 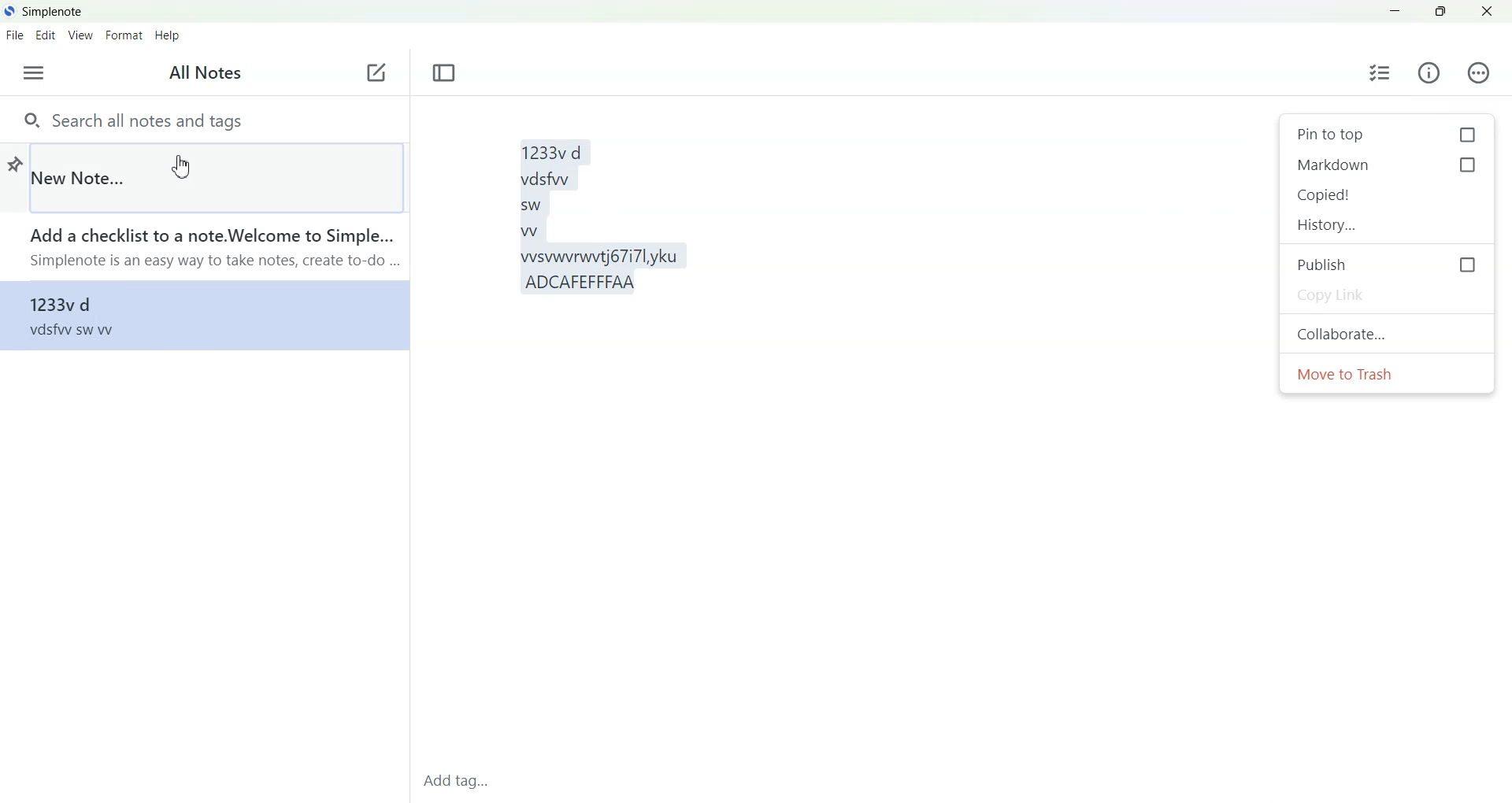 What do you see at coordinates (203, 119) in the screenshot?
I see `Search notes and tags` at bounding box center [203, 119].